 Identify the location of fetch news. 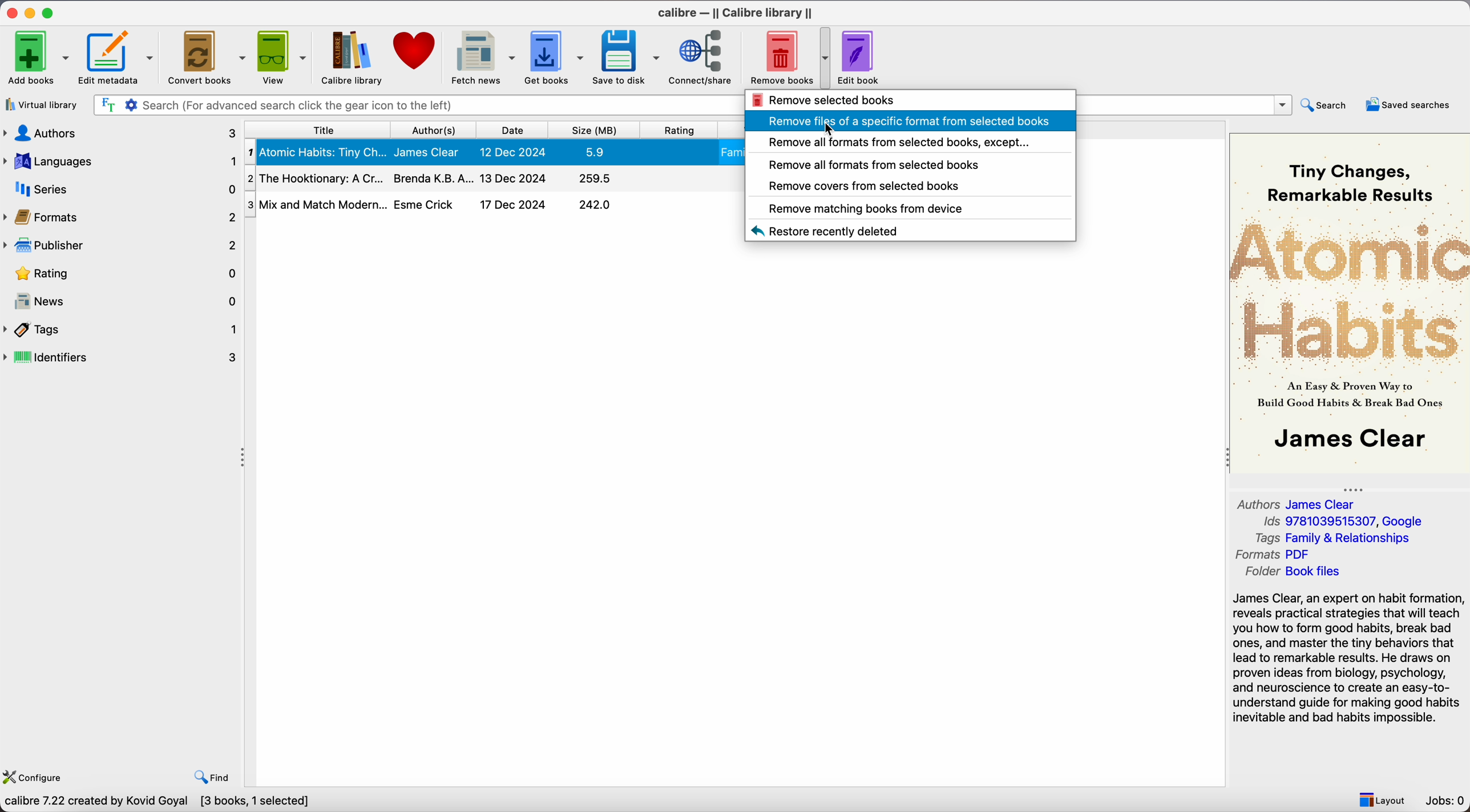
(480, 56).